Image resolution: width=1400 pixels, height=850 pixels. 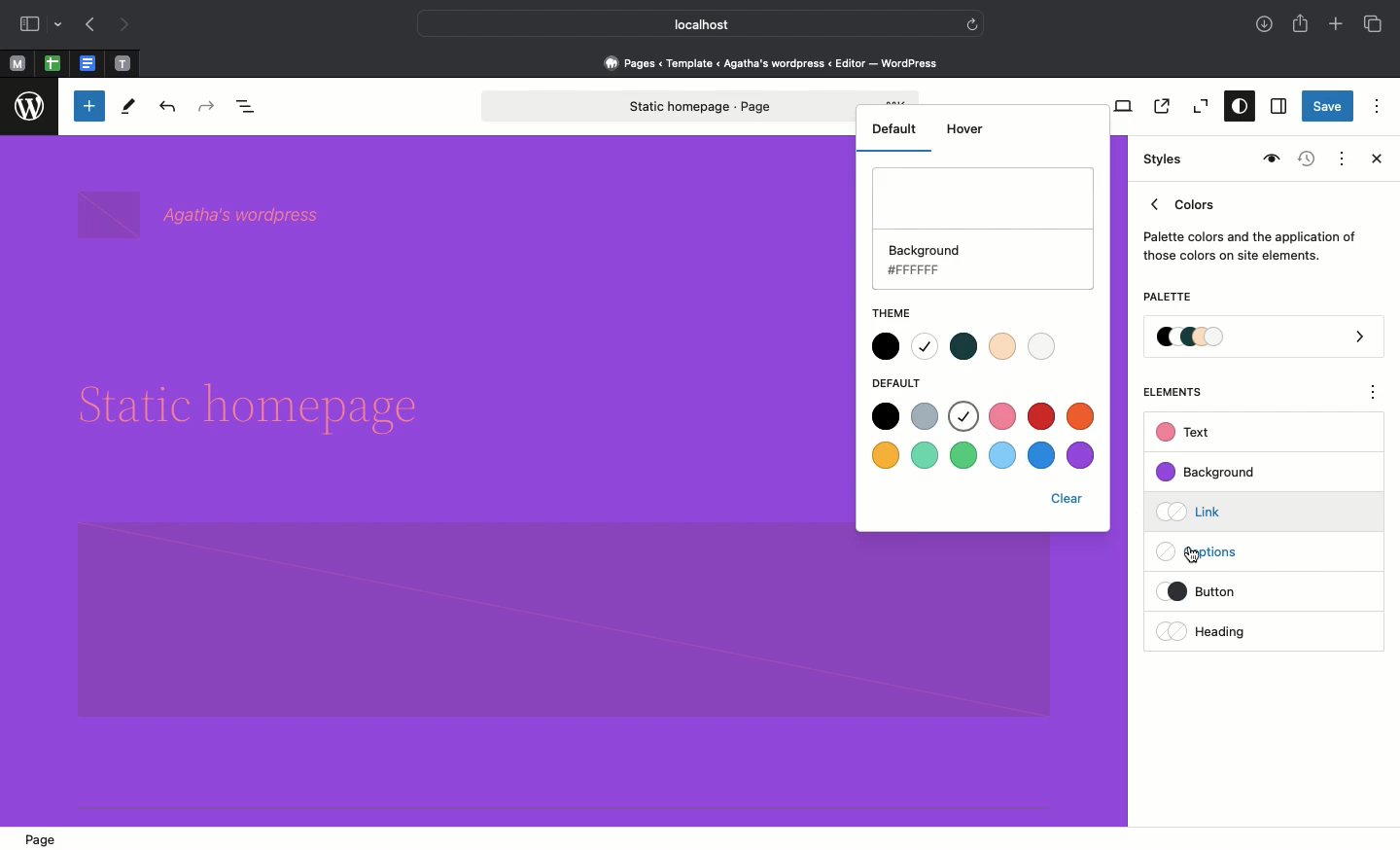 What do you see at coordinates (973, 346) in the screenshot?
I see `Theme color` at bounding box center [973, 346].